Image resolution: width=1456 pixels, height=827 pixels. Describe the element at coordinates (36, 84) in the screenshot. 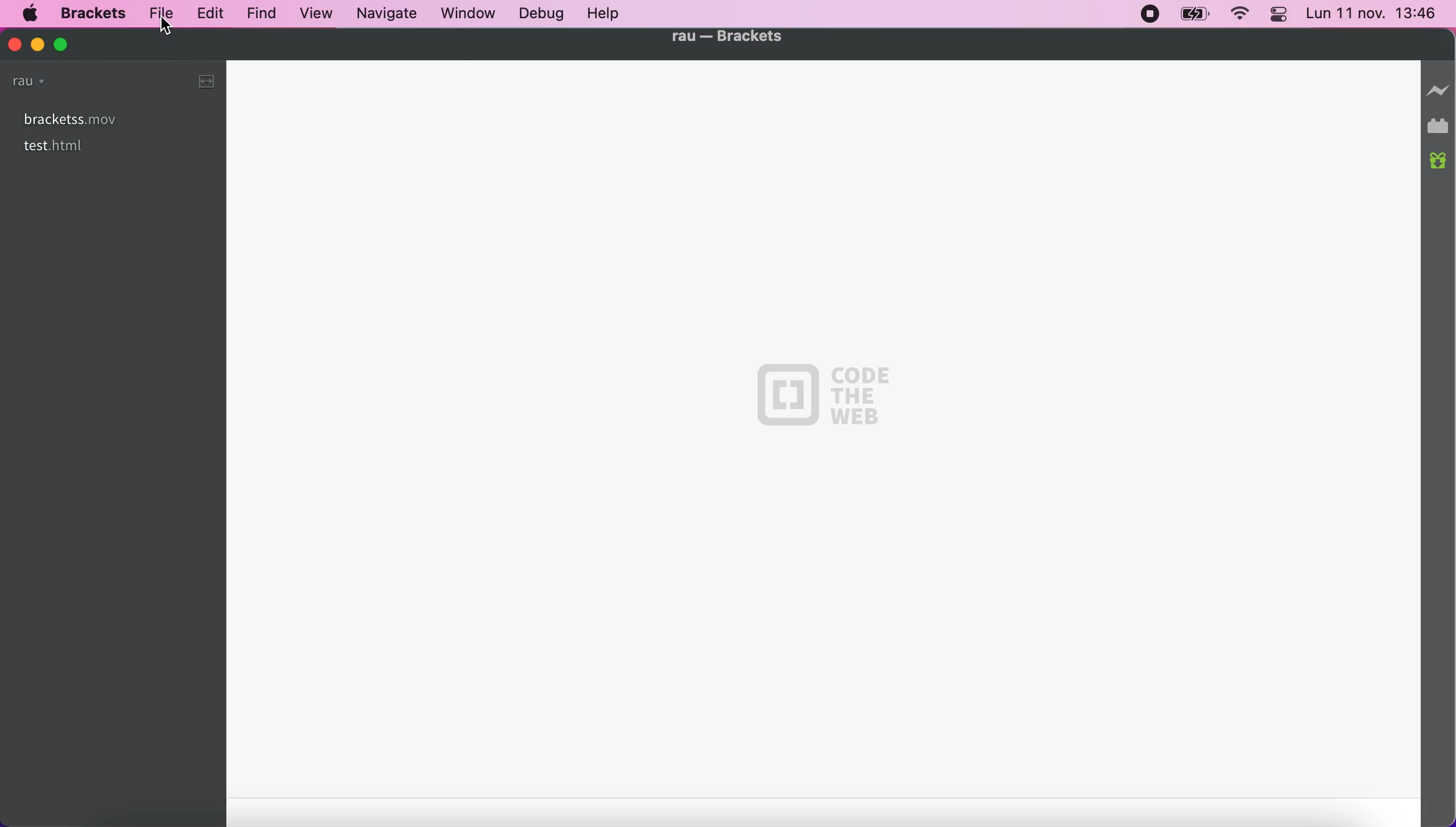

I see `folder` at that location.